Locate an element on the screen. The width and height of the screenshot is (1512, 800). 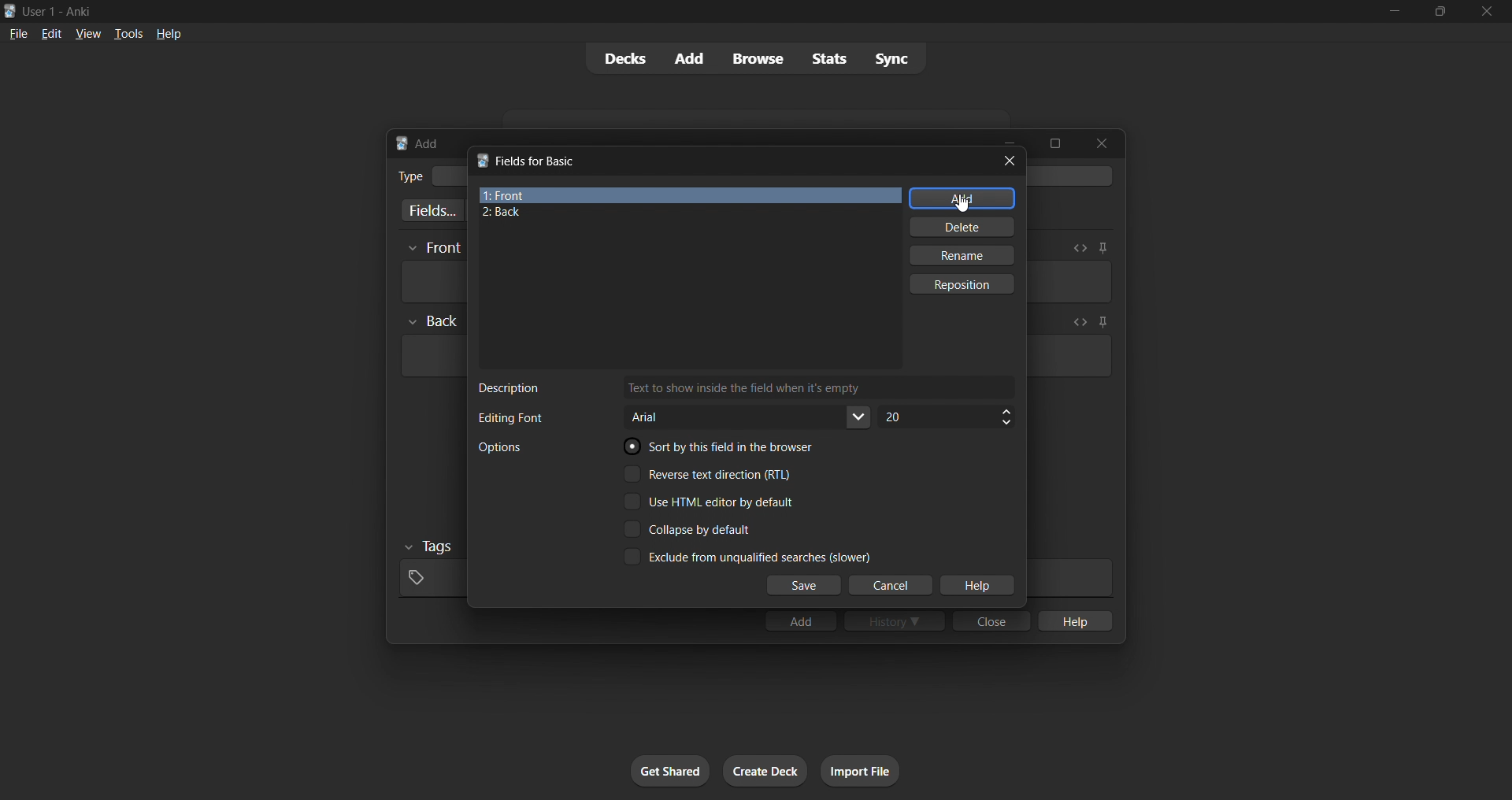
edit is located at coordinates (52, 33).